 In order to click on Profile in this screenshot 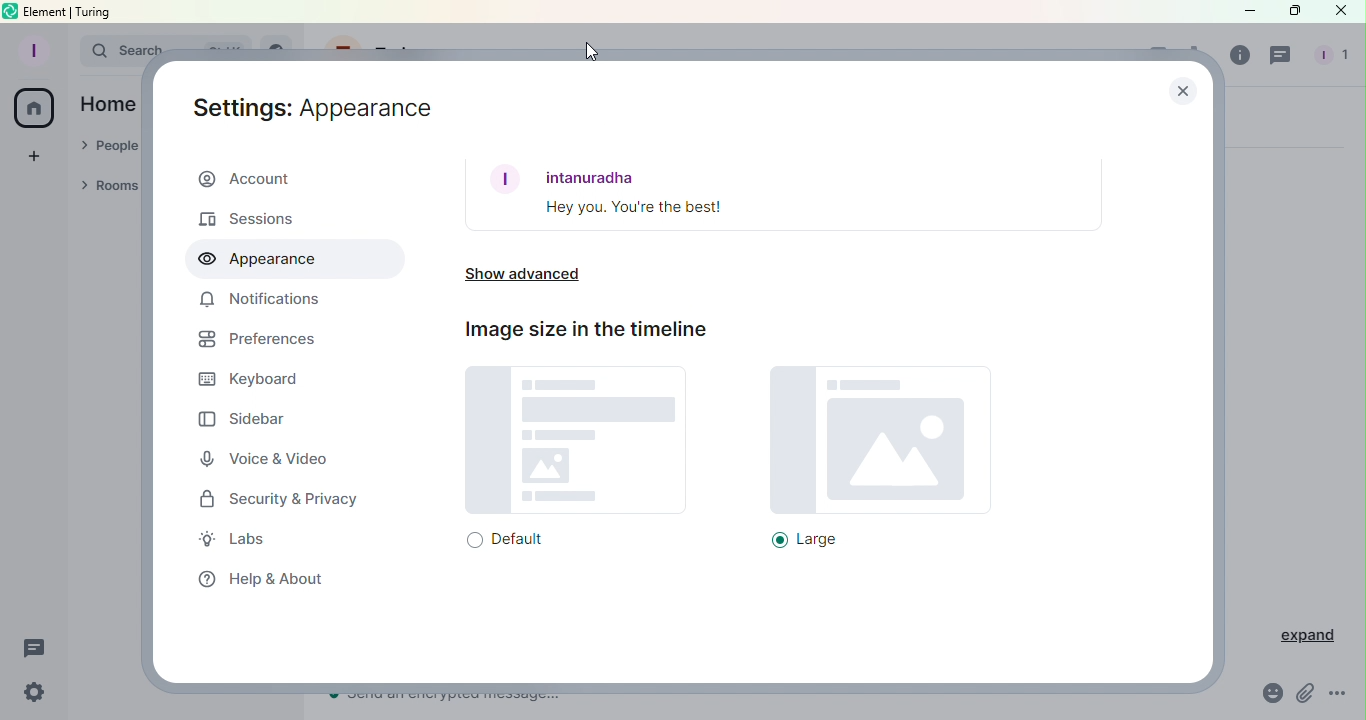, I will do `click(31, 49)`.